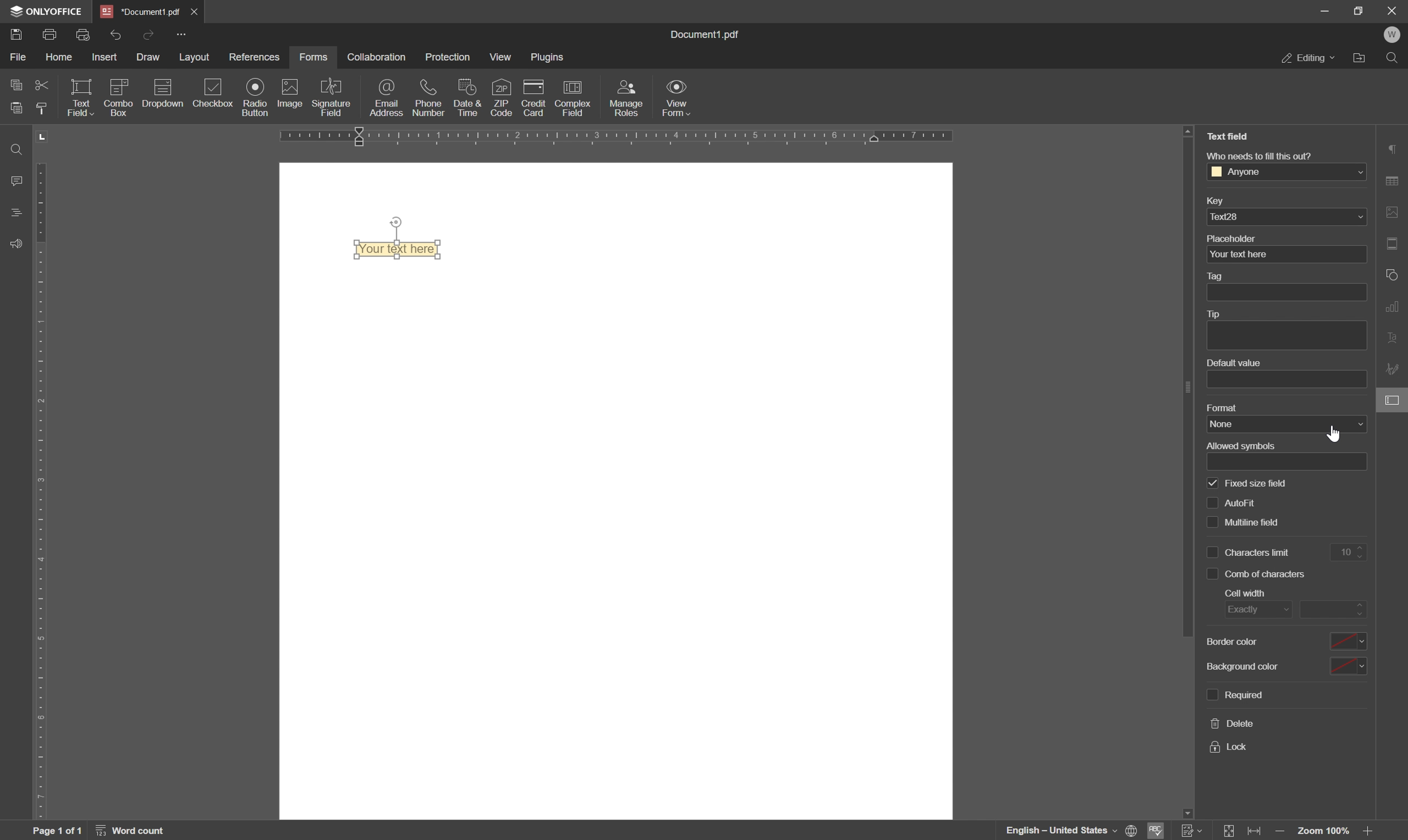 The width and height of the screenshot is (1408, 840). What do you see at coordinates (1392, 242) in the screenshot?
I see `header and footer settings` at bounding box center [1392, 242].